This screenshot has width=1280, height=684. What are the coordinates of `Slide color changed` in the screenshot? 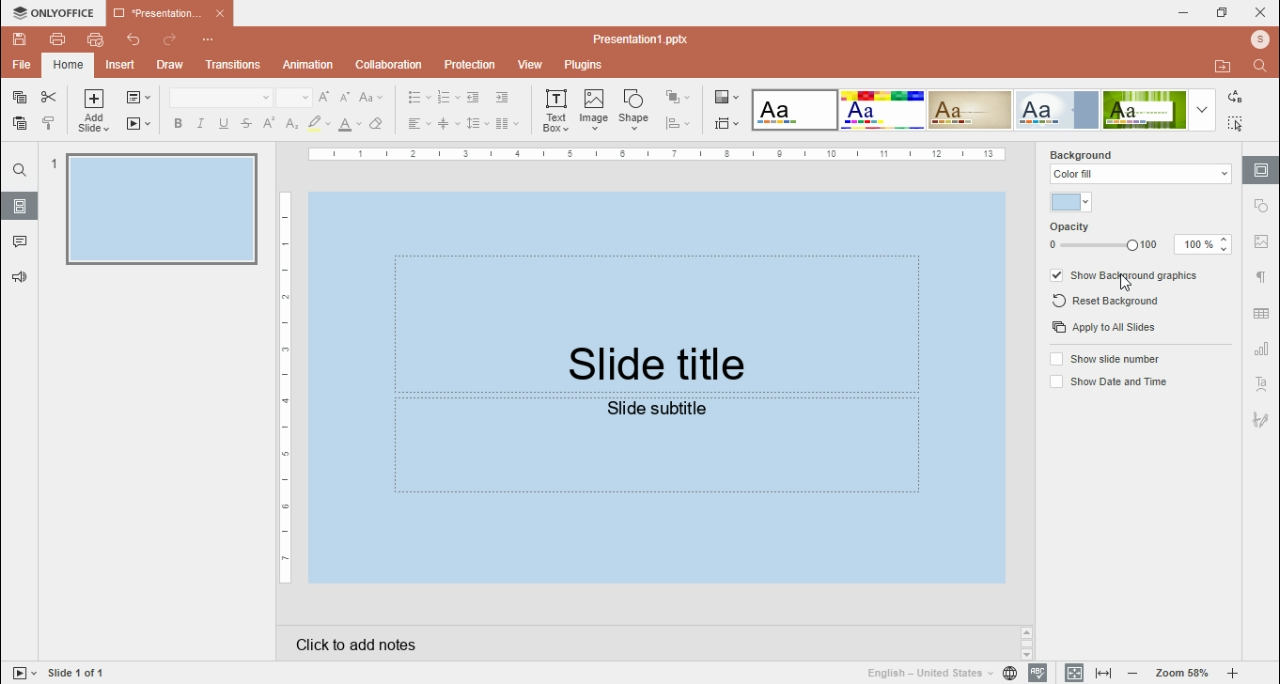 It's located at (659, 390).